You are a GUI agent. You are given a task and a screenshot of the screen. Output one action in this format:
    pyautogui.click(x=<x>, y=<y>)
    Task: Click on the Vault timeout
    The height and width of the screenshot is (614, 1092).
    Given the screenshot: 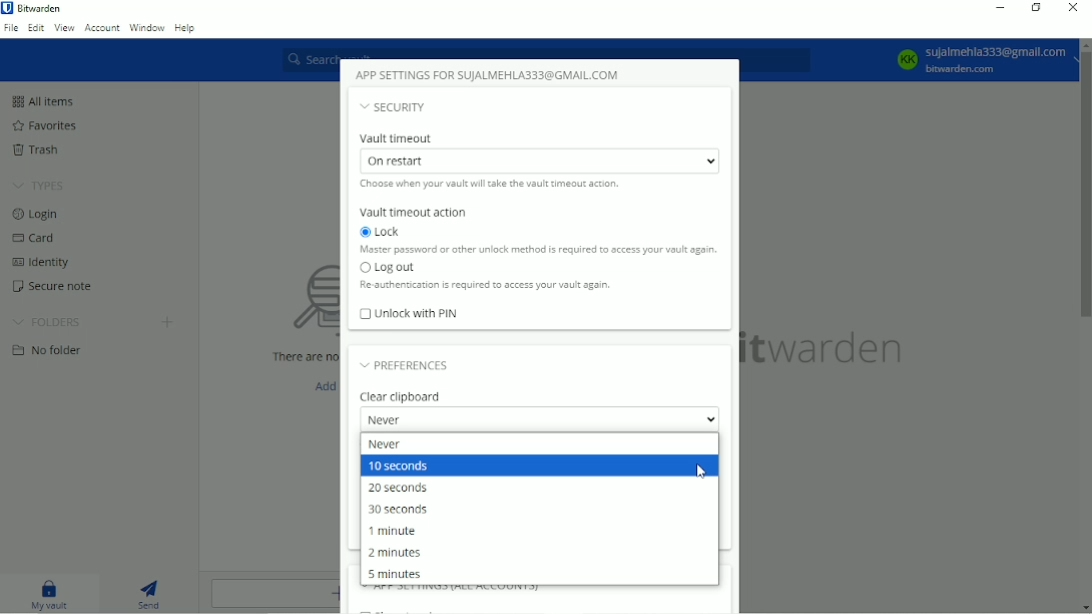 What is the action you would take?
    pyautogui.click(x=538, y=152)
    